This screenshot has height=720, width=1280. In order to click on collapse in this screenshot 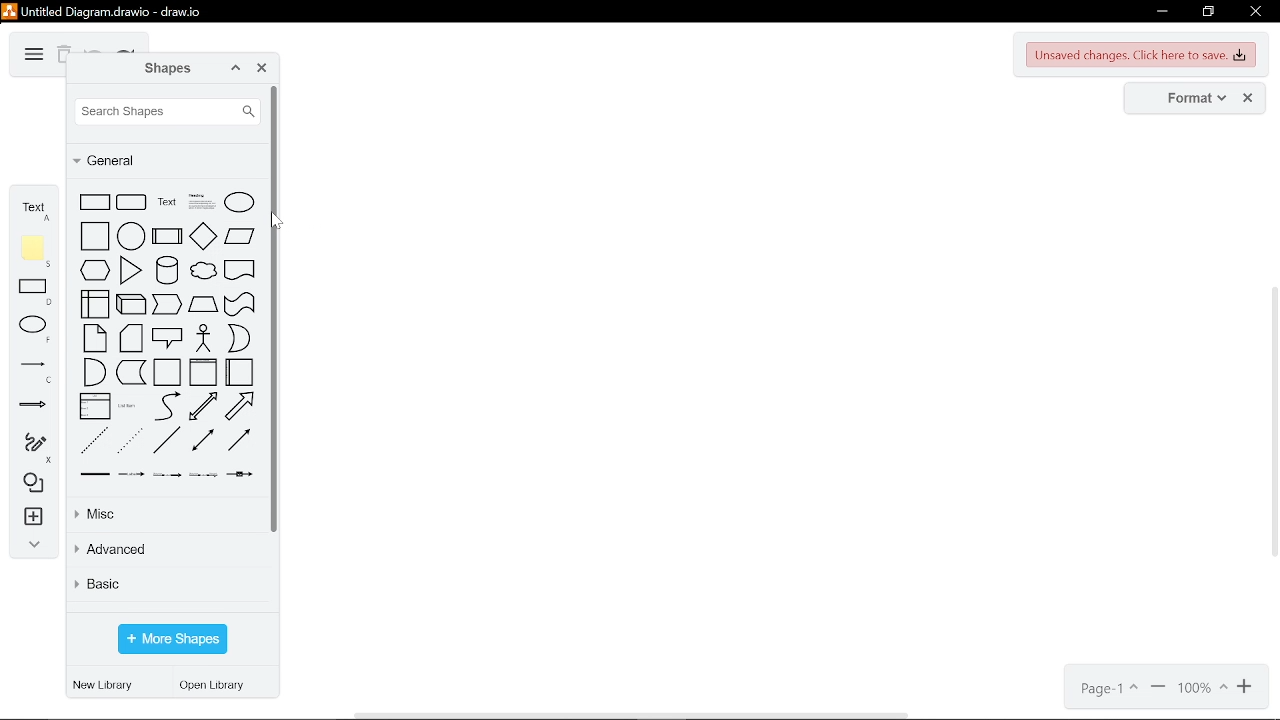, I will do `click(30, 547)`.